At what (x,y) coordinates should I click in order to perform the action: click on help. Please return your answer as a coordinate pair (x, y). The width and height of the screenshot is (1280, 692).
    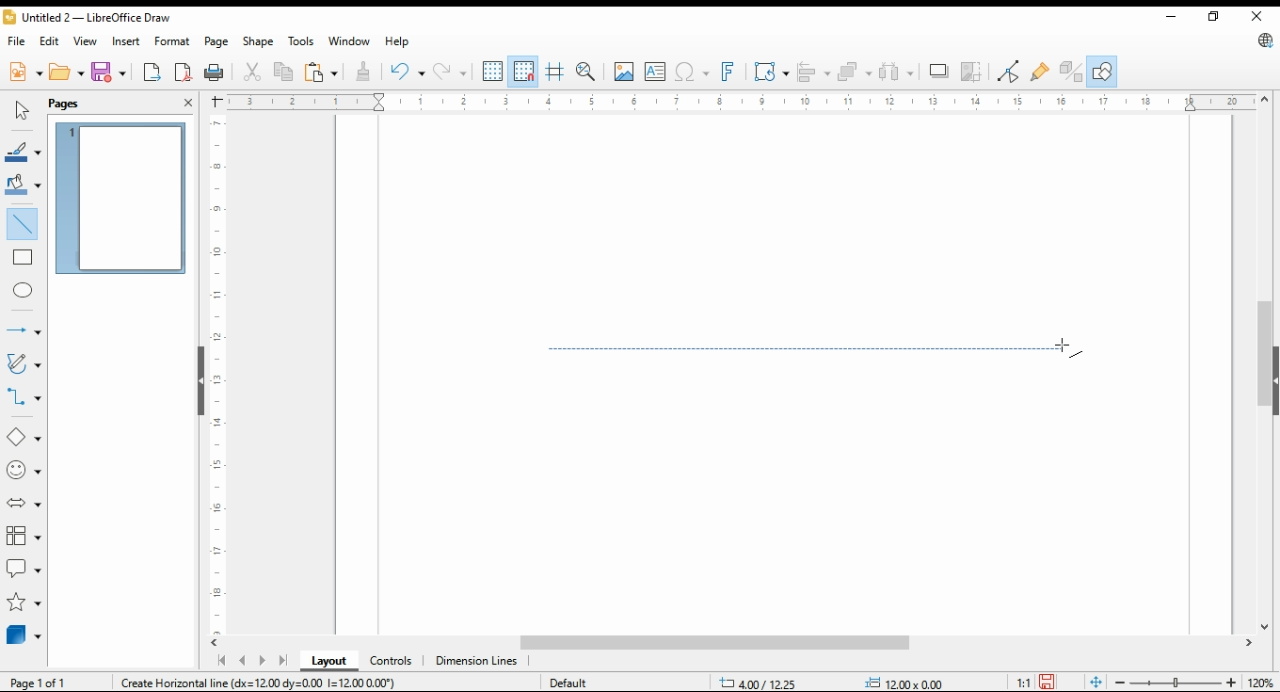
    Looking at the image, I should click on (397, 41).